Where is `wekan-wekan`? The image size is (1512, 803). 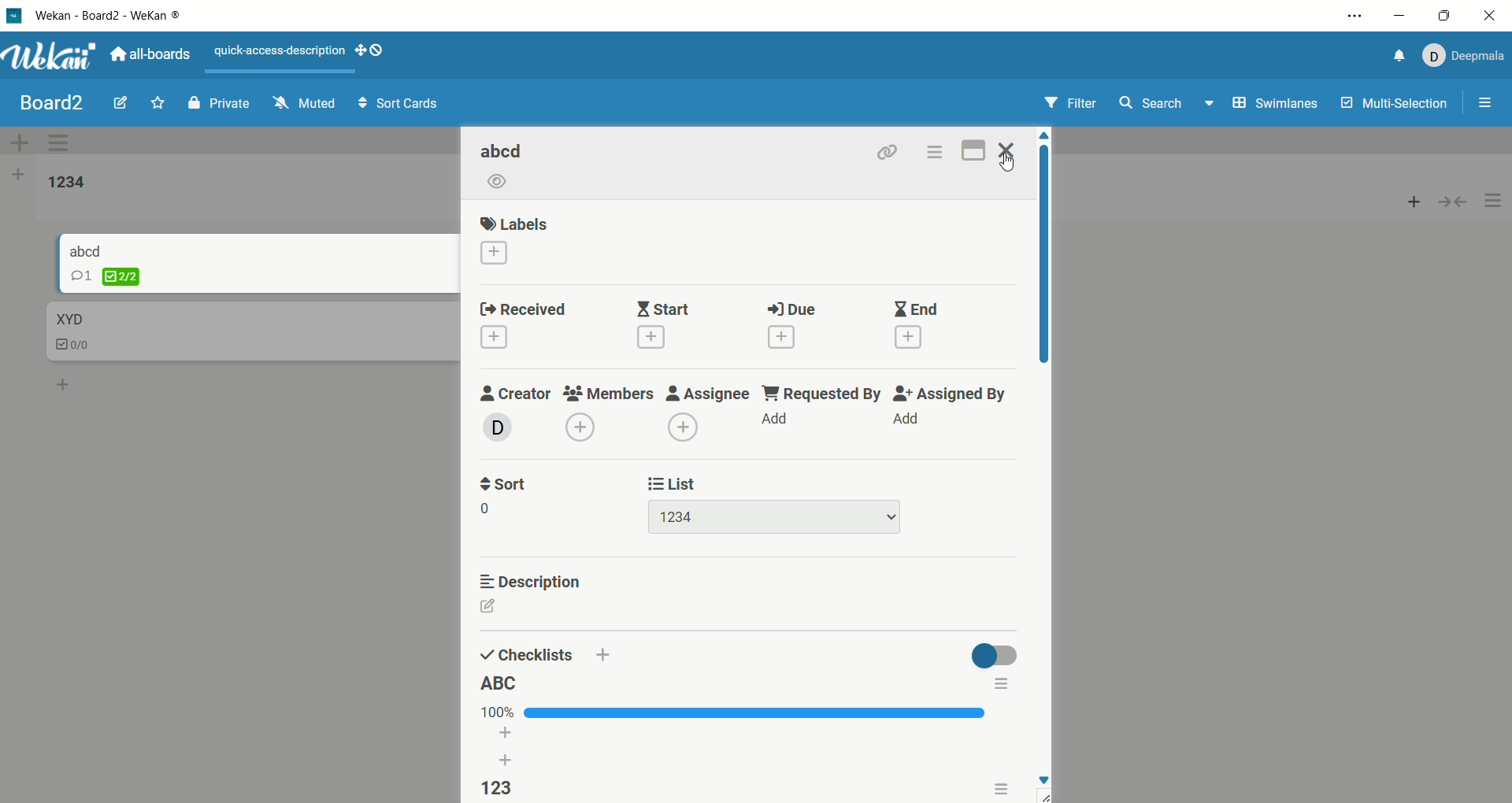
wekan-wekan is located at coordinates (127, 15).